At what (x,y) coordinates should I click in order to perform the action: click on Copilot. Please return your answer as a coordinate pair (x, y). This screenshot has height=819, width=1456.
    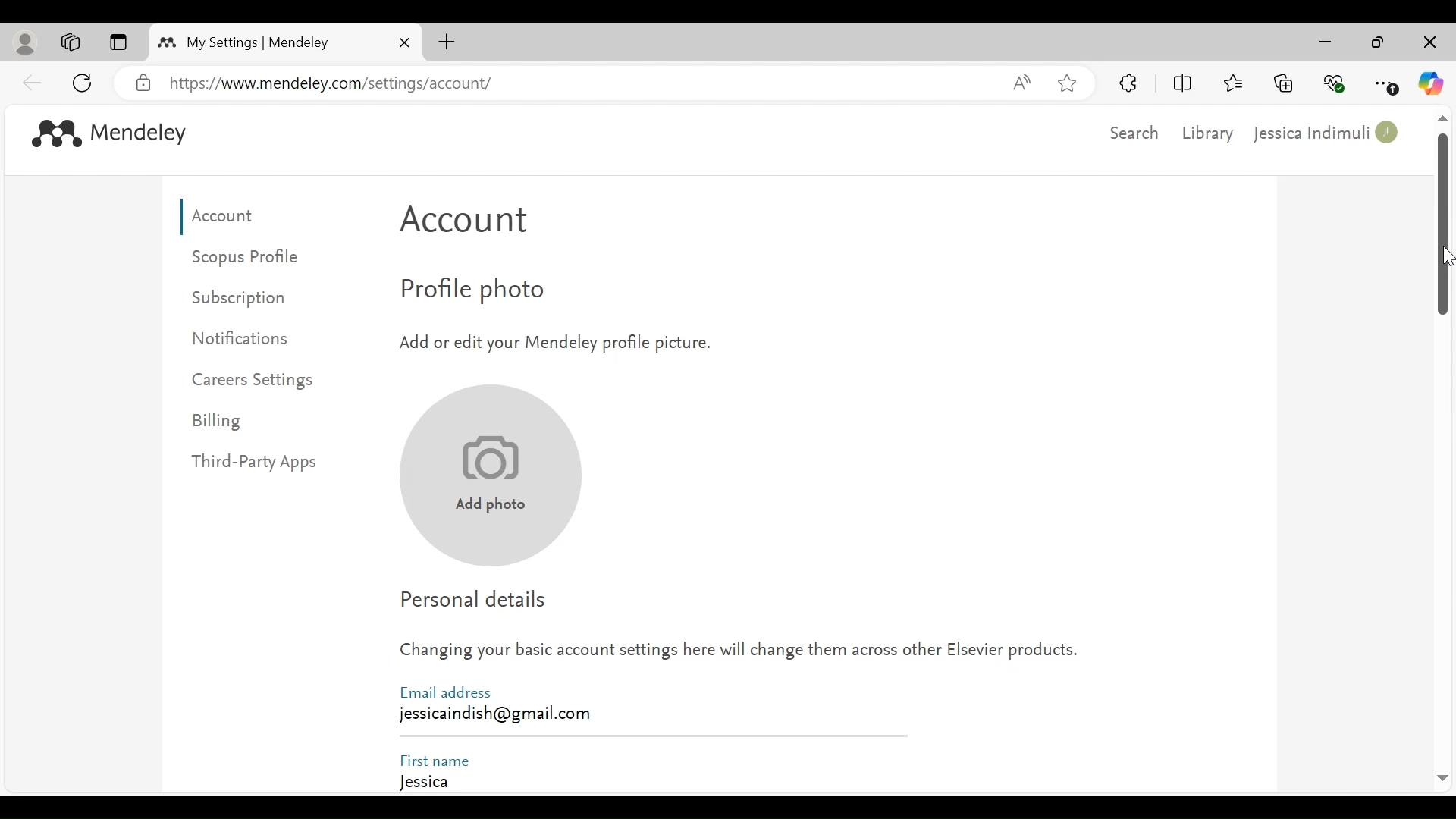
    Looking at the image, I should click on (1431, 83).